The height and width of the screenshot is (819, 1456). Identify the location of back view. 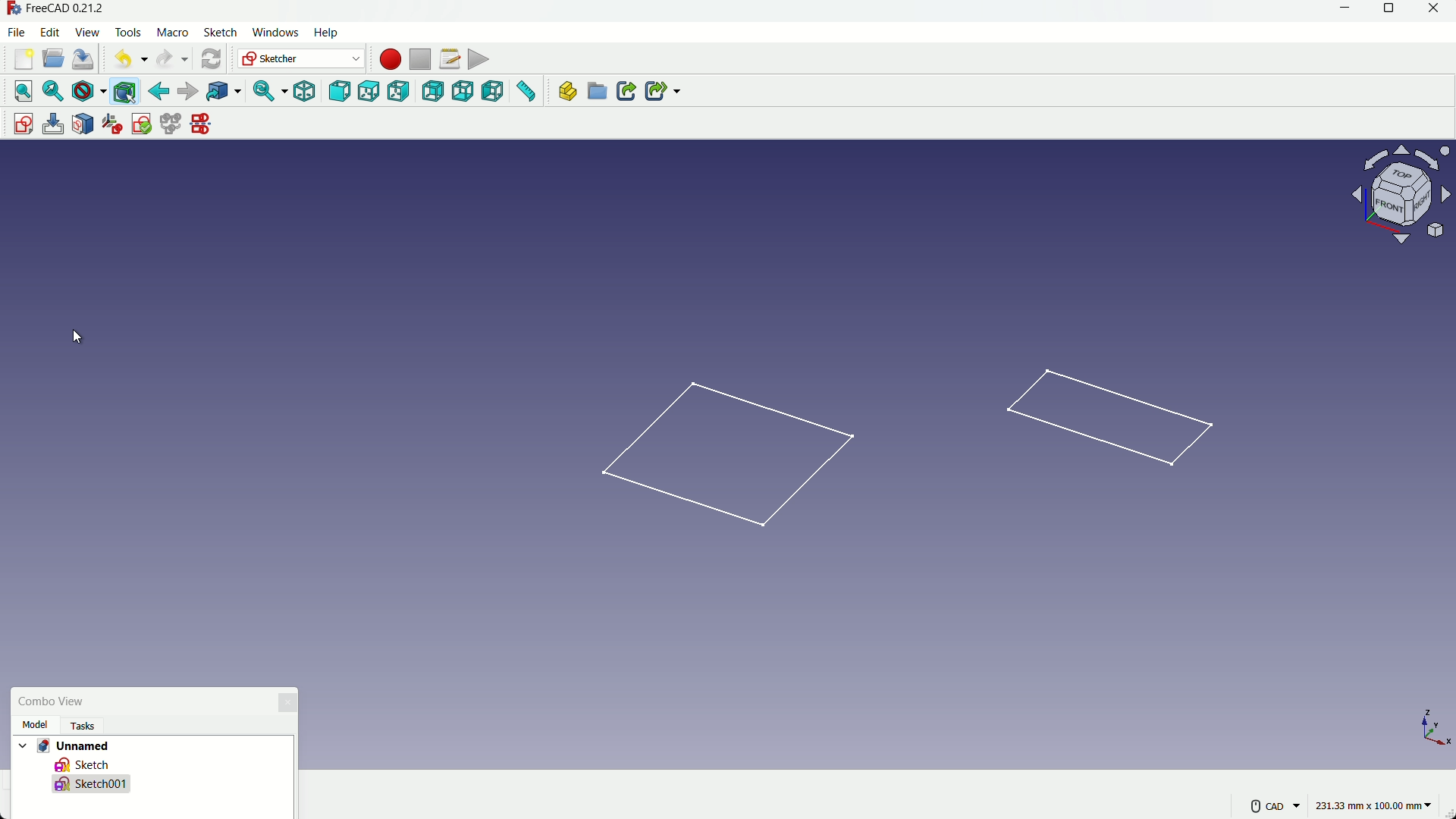
(432, 92).